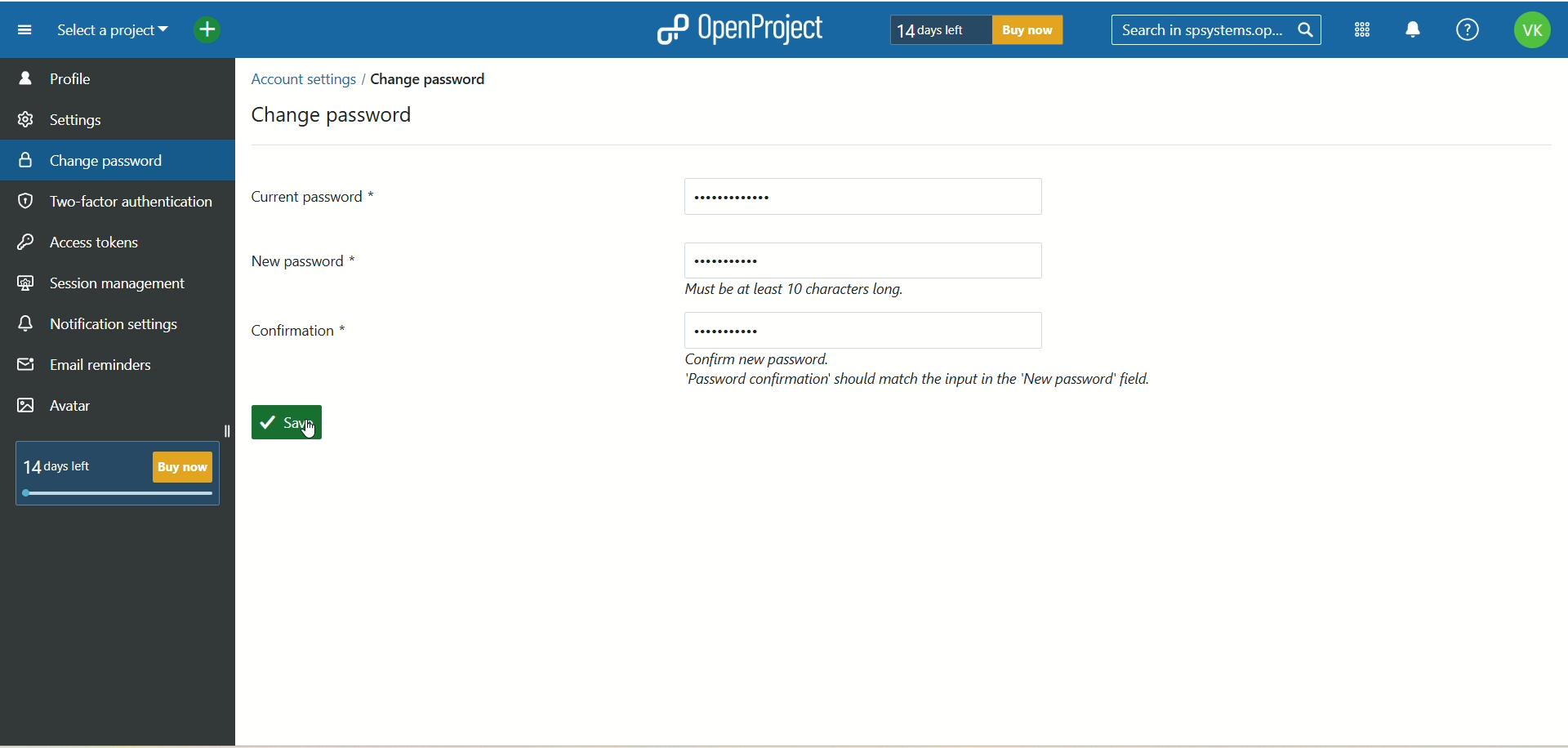 The width and height of the screenshot is (1568, 748). I want to click on access takers, so click(86, 243).